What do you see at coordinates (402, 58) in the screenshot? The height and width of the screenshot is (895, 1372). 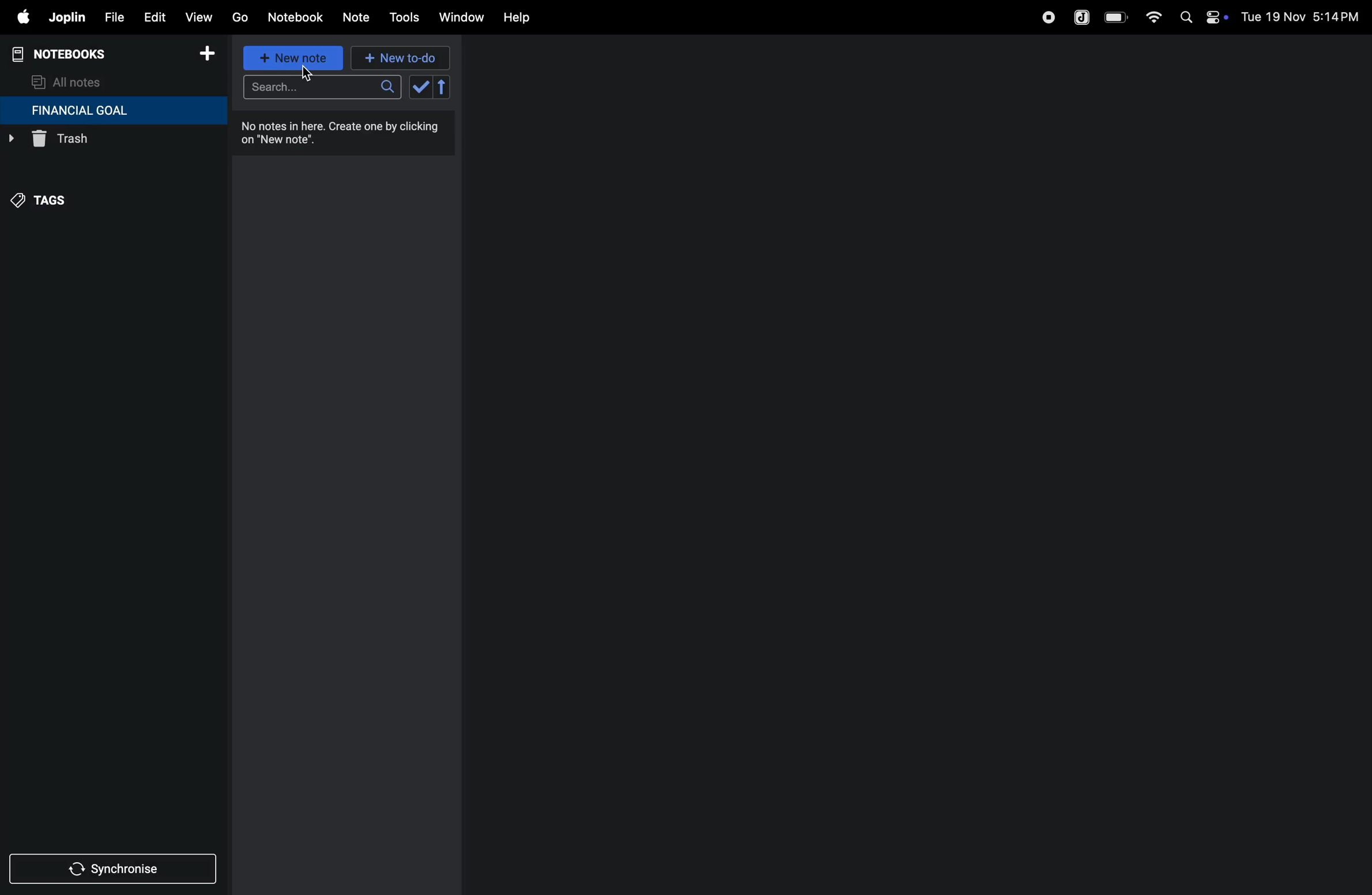 I see `new to-do` at bounding box center [402, 58].